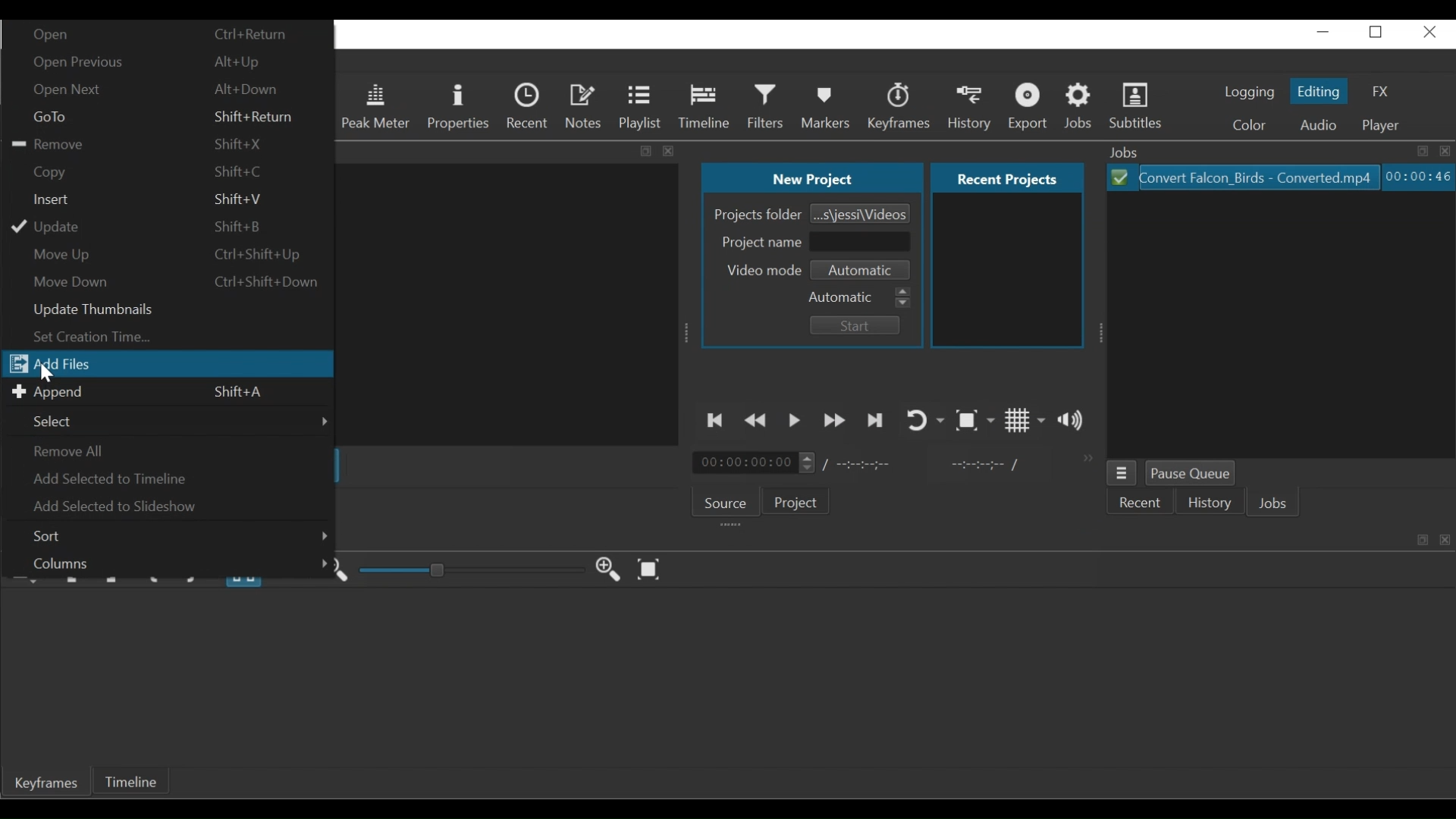  Describe the element at coordinates (160, 227) in the screenshot. I see `Update` at that location.